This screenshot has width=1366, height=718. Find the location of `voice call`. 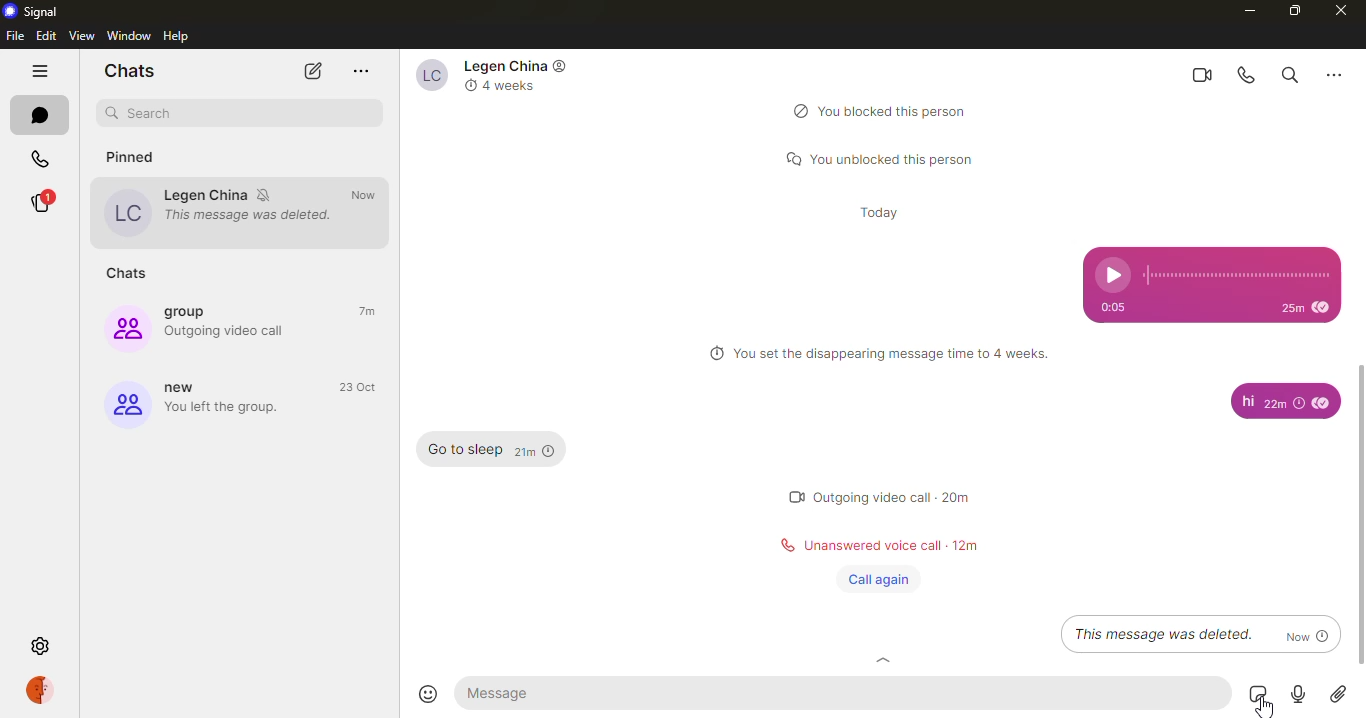

voice call is located at coordinates (1246, 75).